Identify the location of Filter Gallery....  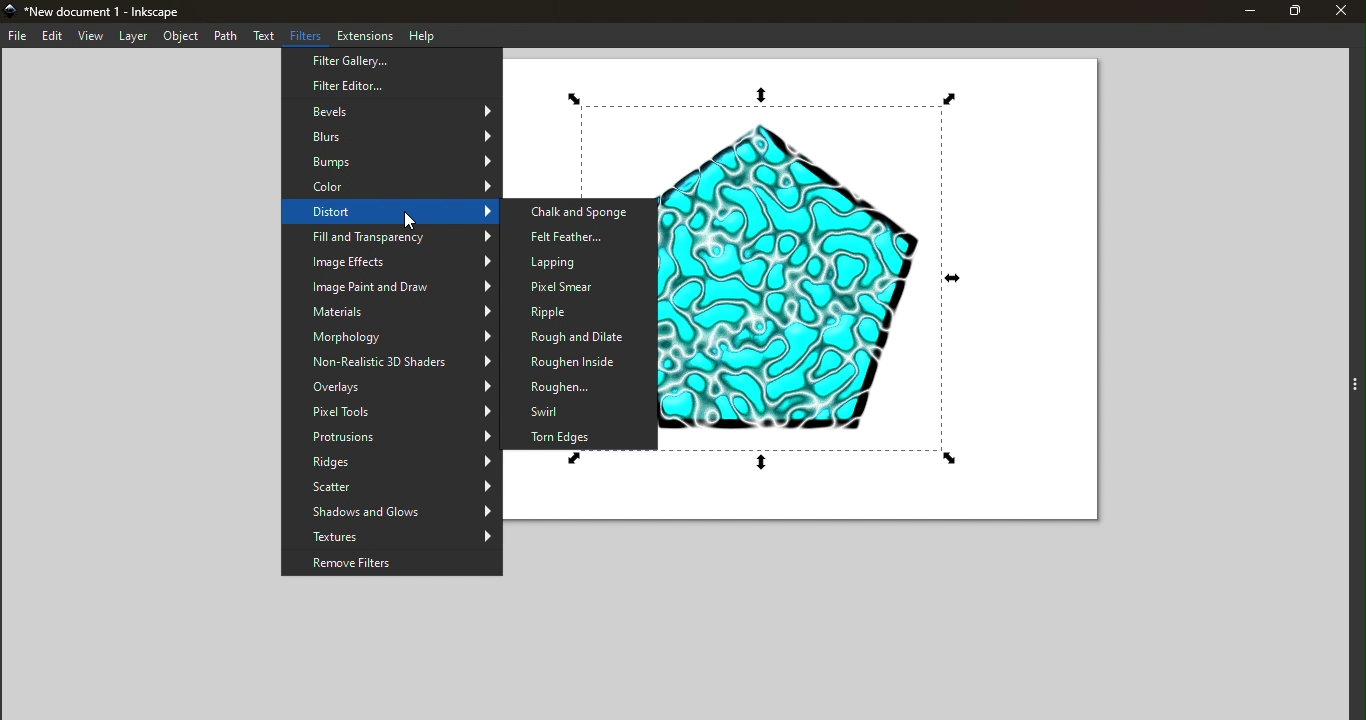
(389, 62).